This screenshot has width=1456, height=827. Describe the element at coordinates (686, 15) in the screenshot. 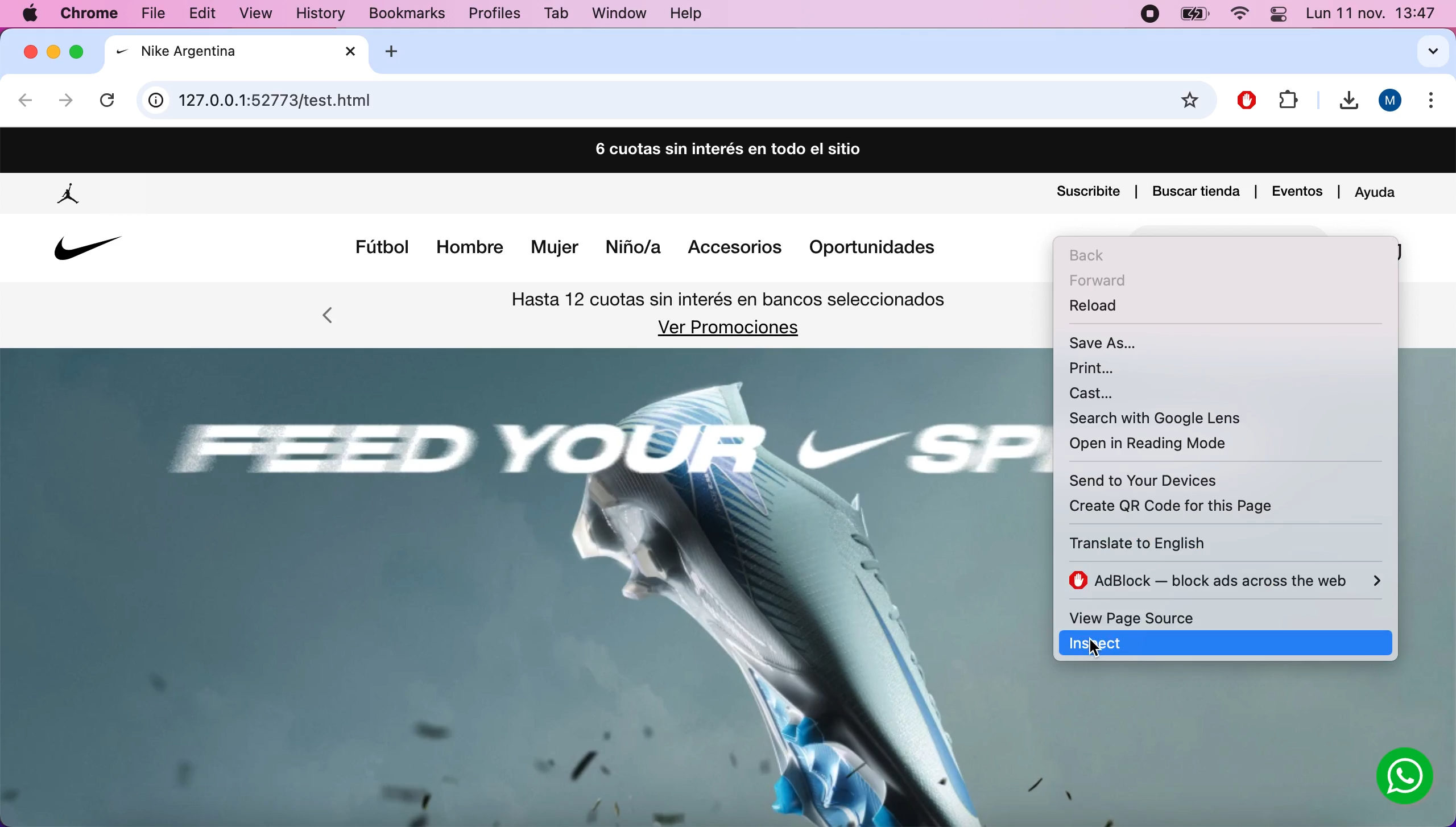

I see `Help` at that location.